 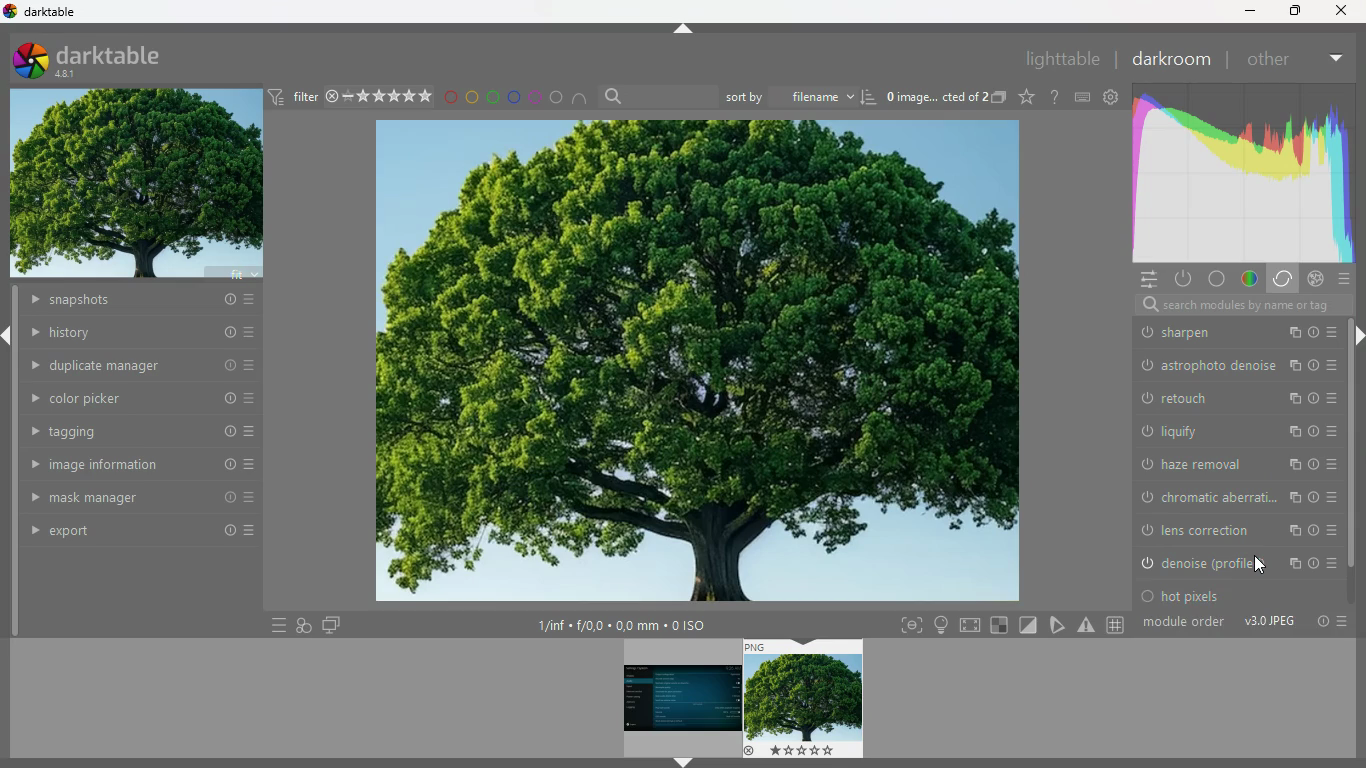 I want to click on settings, so click(x=1114, y=97).